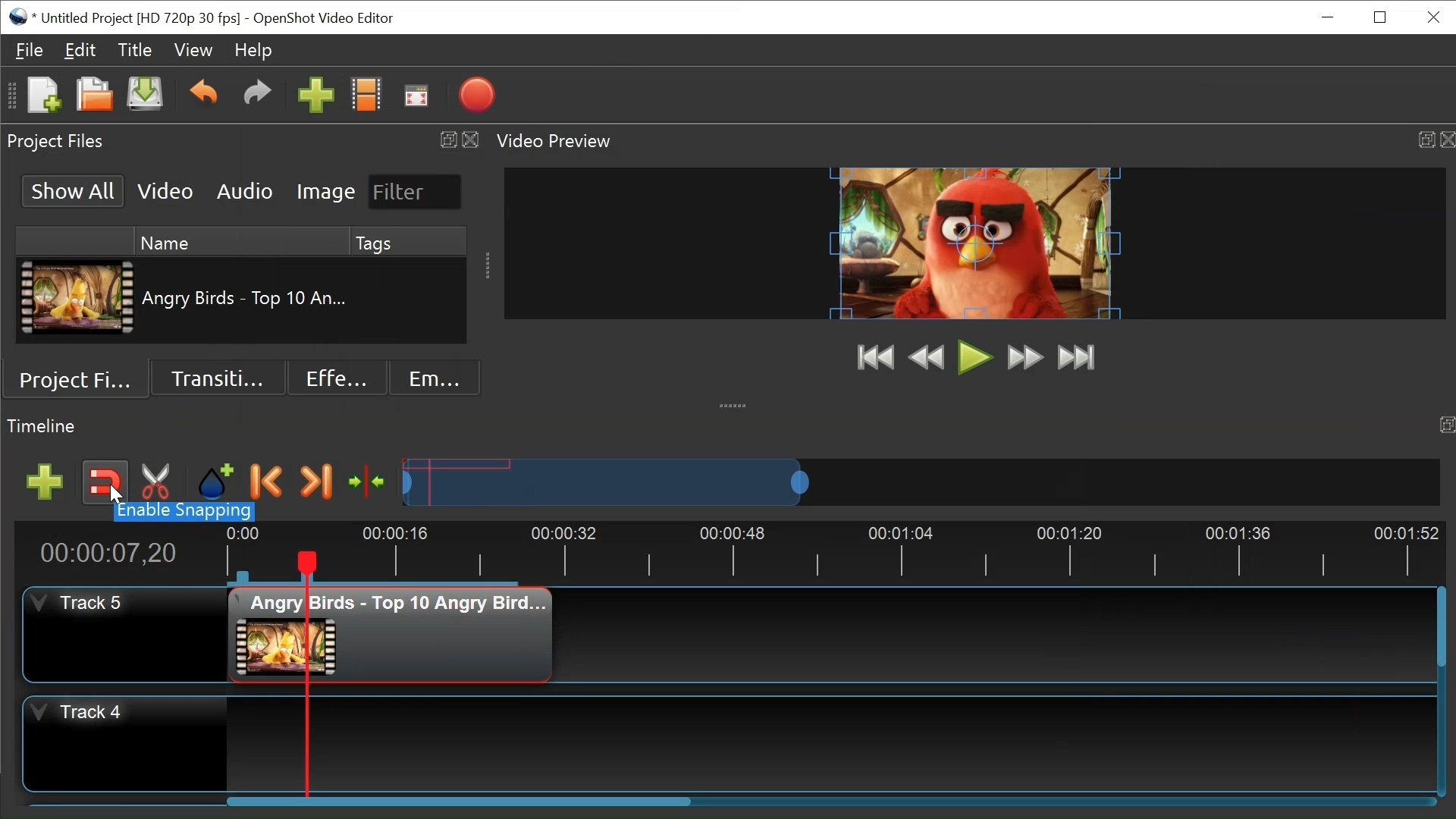 The width and height of the screenshot is (1456, 819). Describe the element at coordinates (975, 358) in the screenshot. I see `Play` at that location.